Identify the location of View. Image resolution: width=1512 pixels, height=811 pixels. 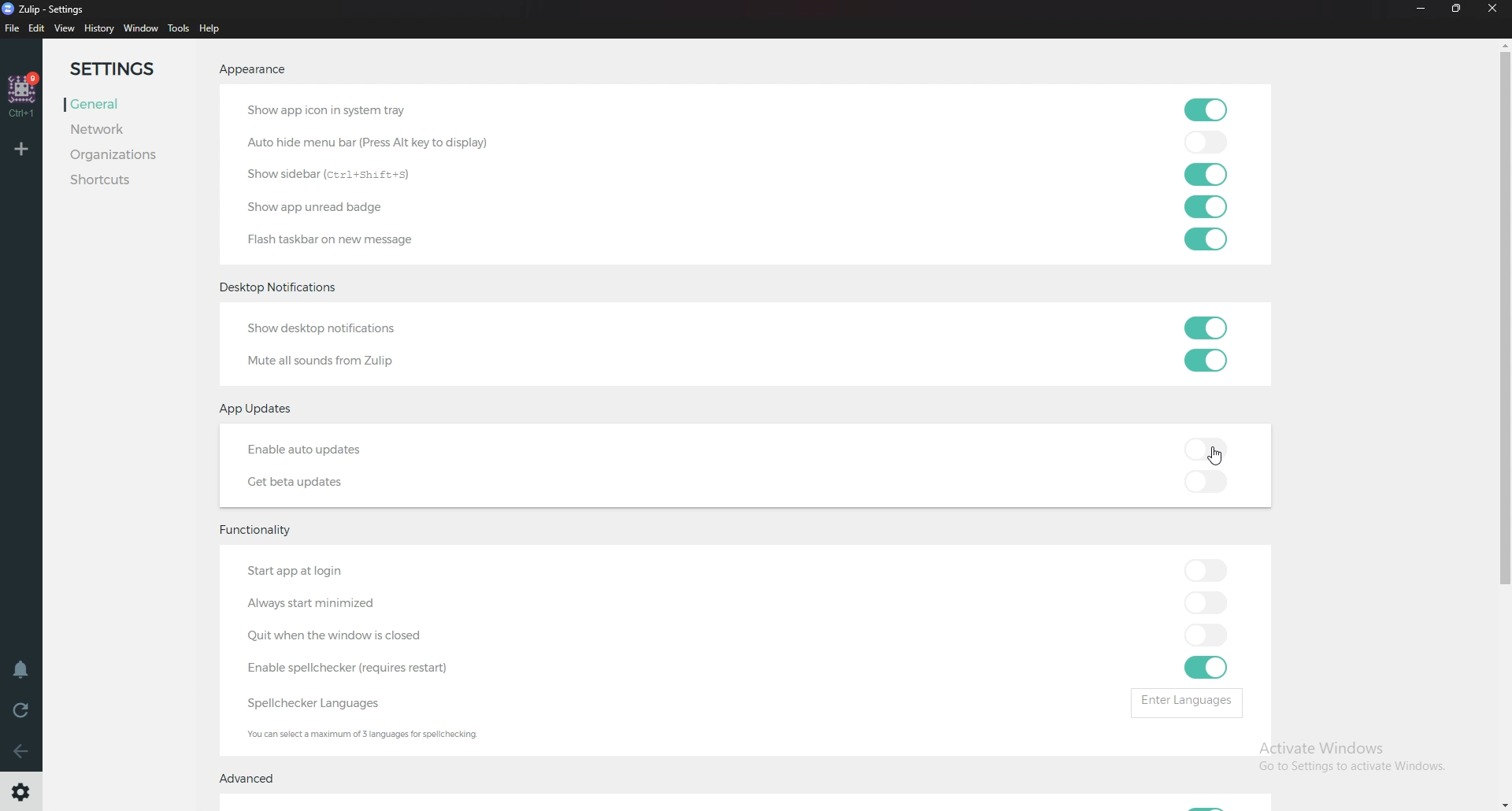
(65, 28).